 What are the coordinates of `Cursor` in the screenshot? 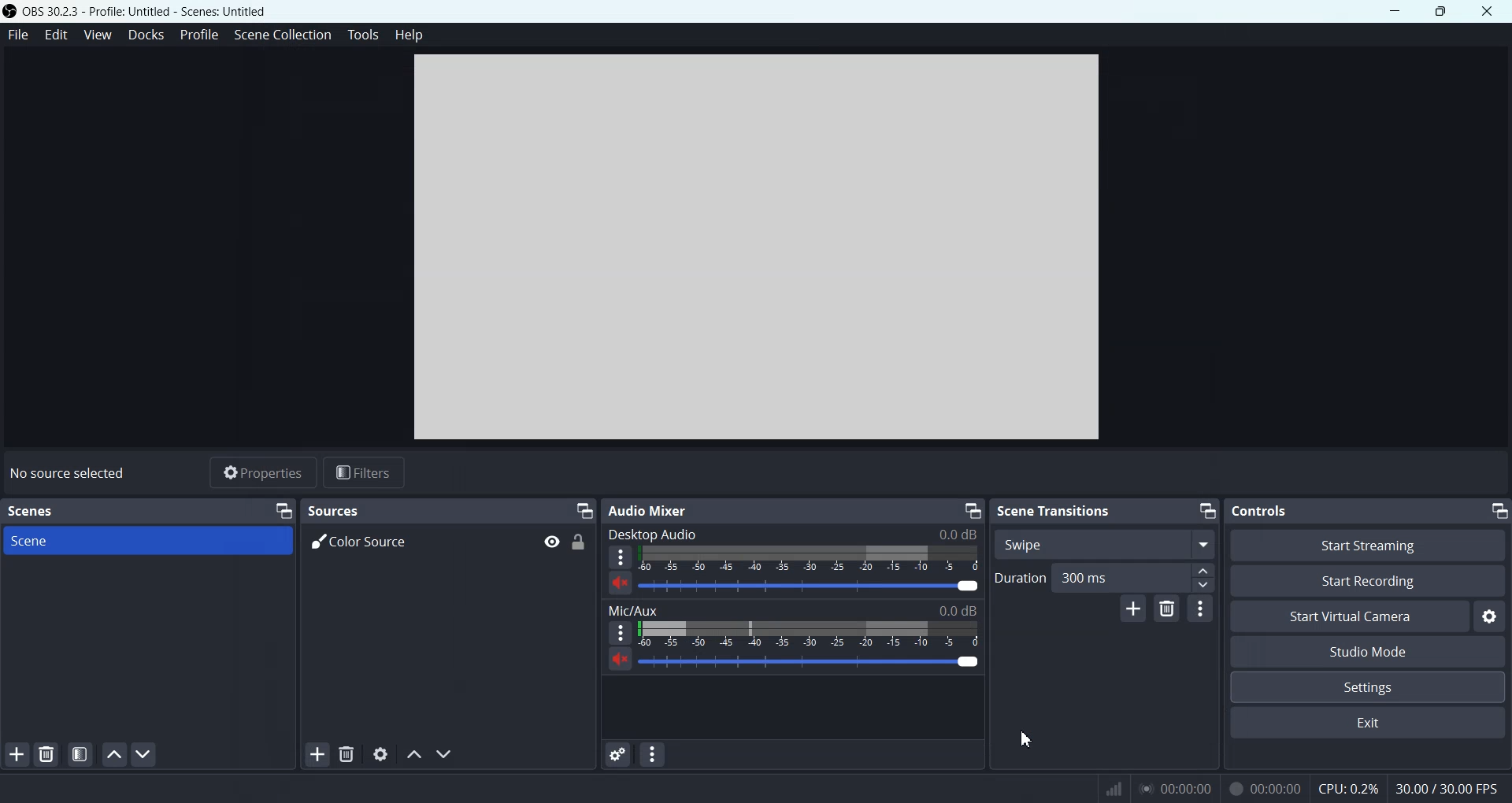 It's located at (1028, 738).